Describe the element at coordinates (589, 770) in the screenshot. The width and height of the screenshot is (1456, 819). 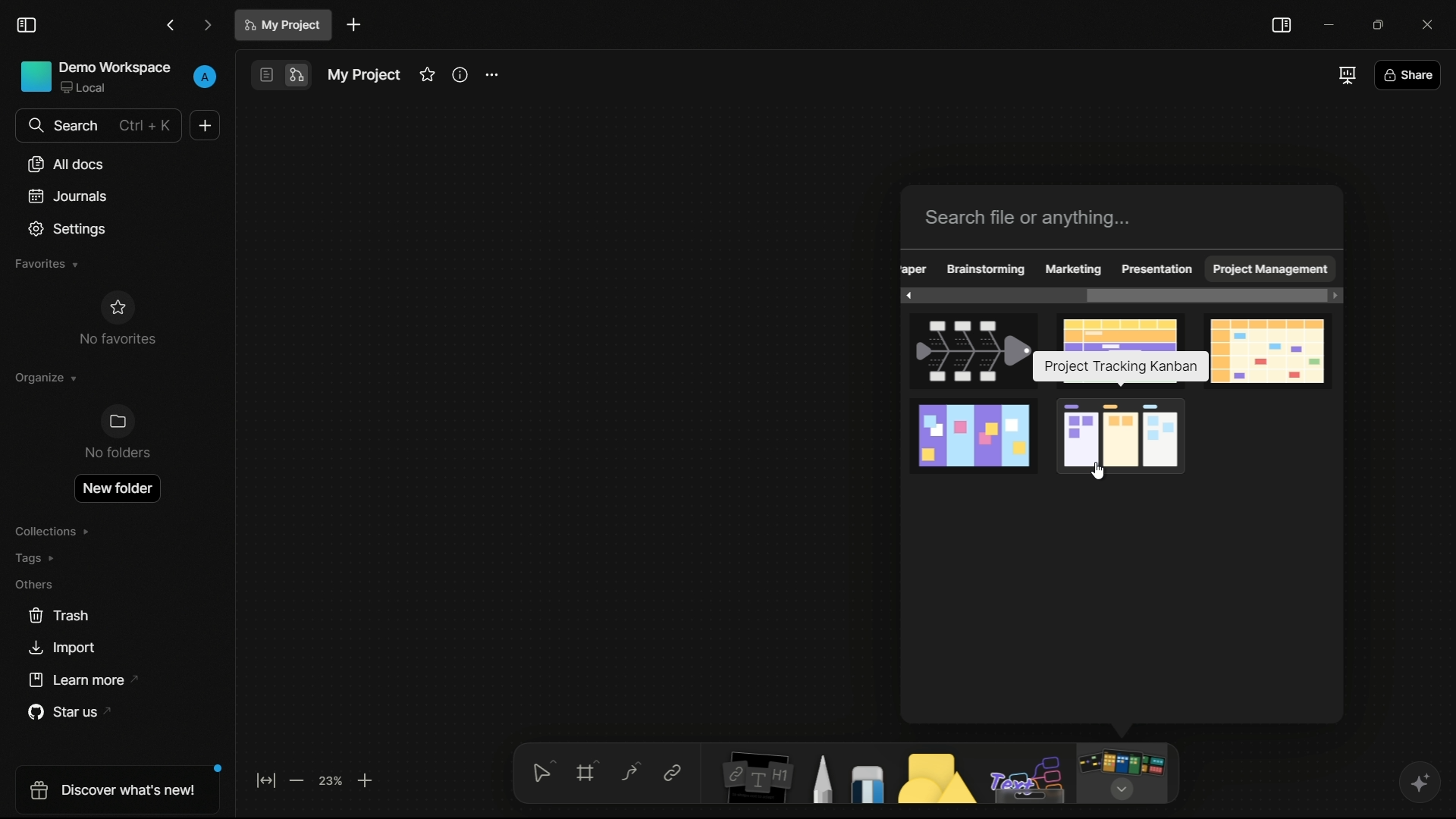
I see `frames` at that location.